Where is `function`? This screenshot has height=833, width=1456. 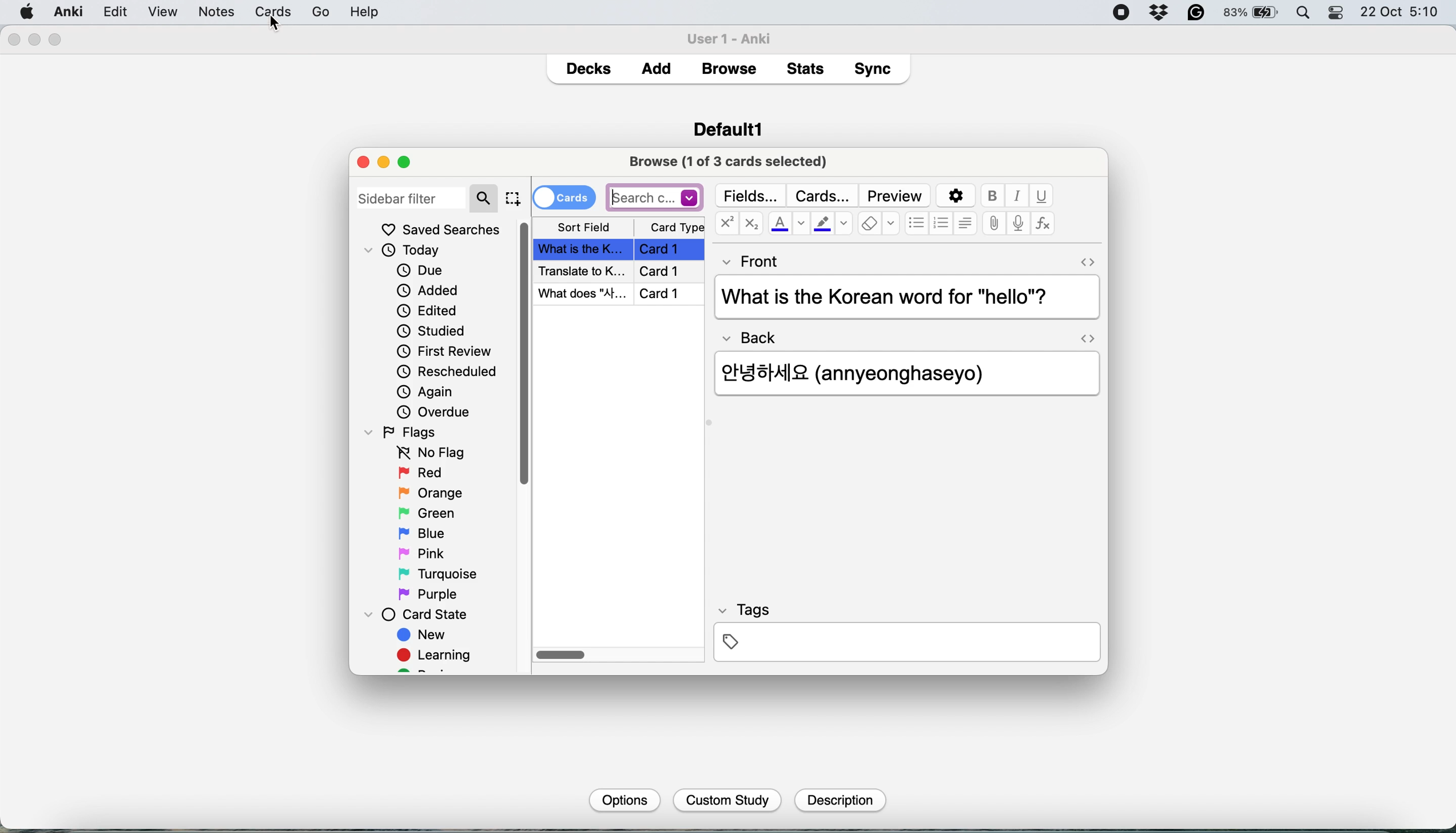 function is located at coordinates (1043, 224).